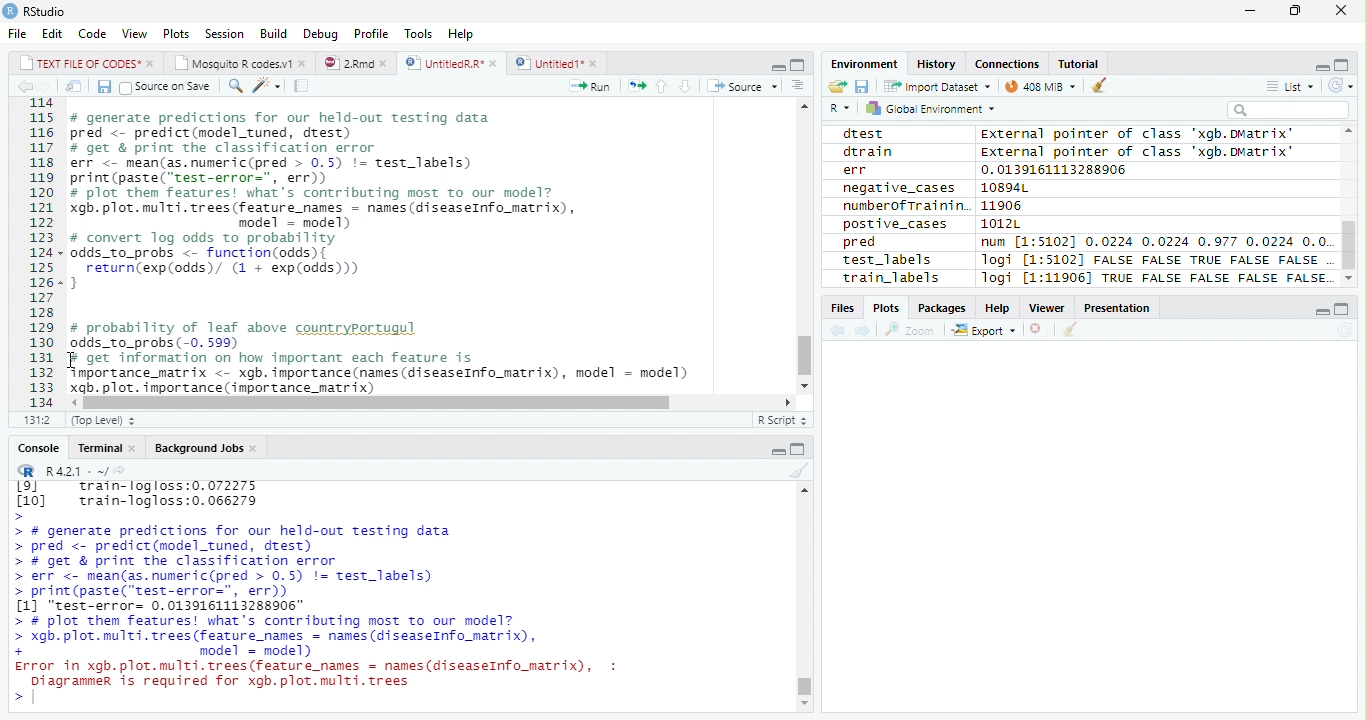  Describe the element at coordinates (862, 133) in the screenshot. I see `dtest` at that location.